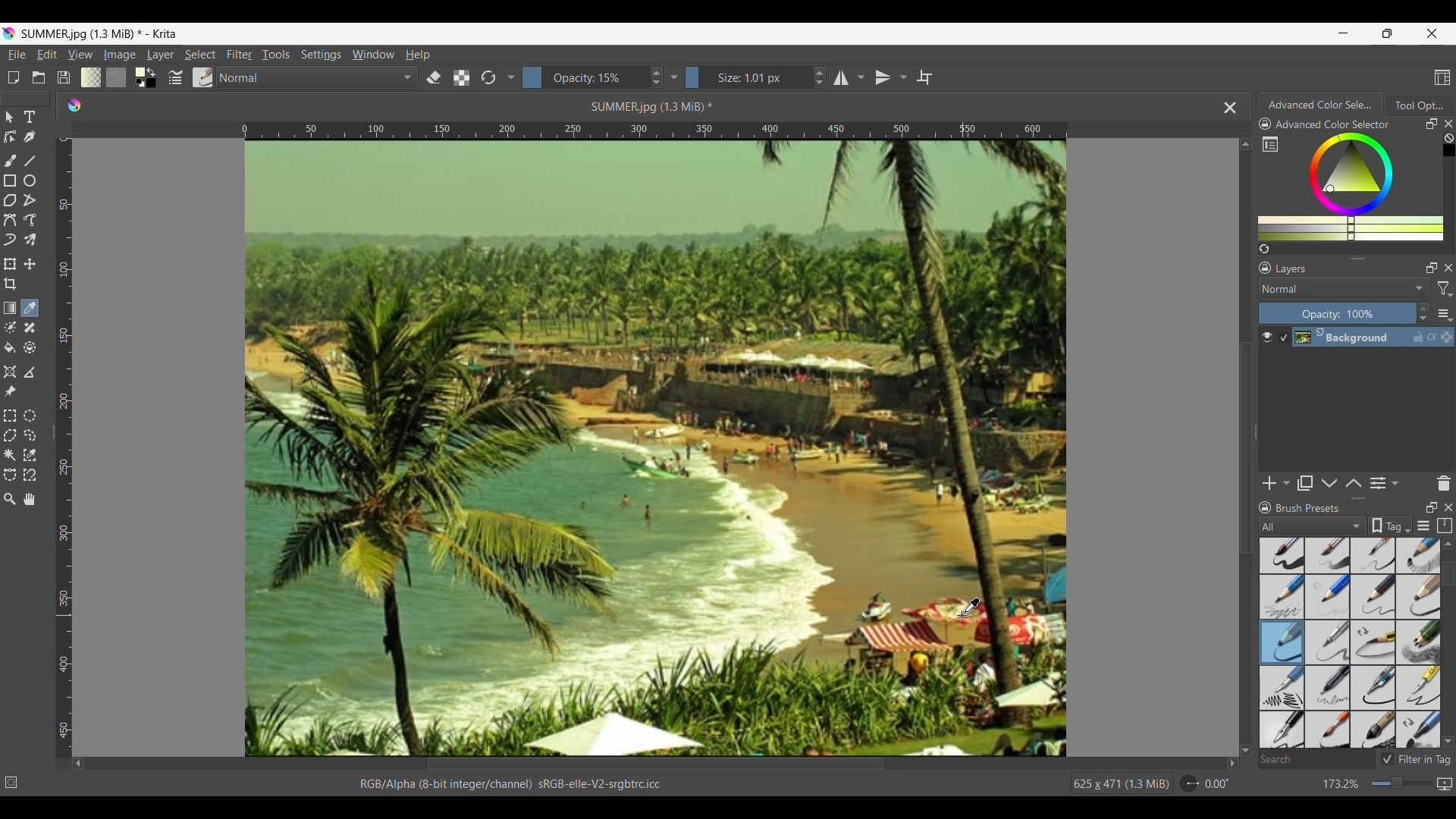  I want to click on Tool options, so click(1419, 105).